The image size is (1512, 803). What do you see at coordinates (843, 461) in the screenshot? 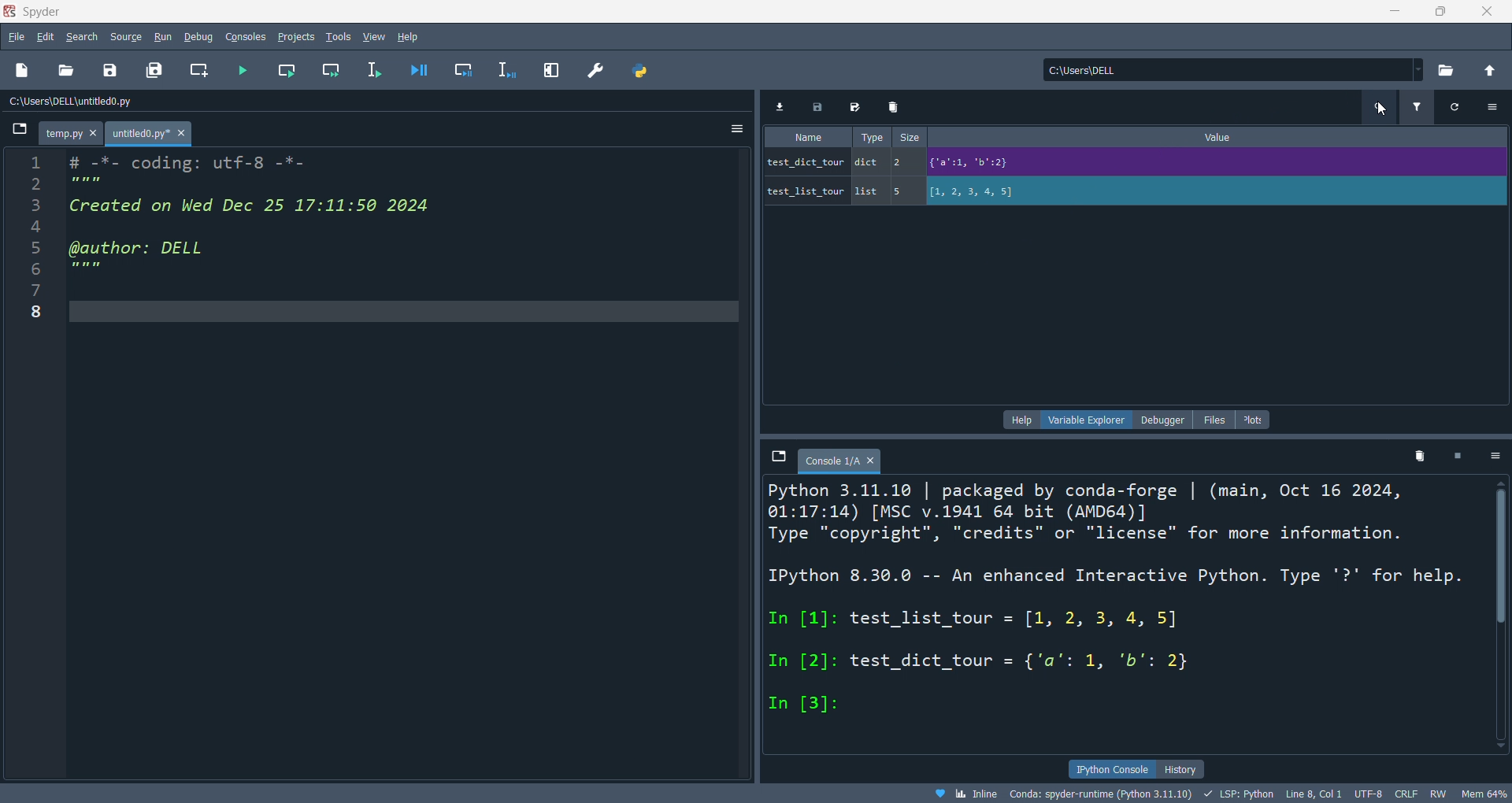
I see `tab` at bounding box center [843, 461].